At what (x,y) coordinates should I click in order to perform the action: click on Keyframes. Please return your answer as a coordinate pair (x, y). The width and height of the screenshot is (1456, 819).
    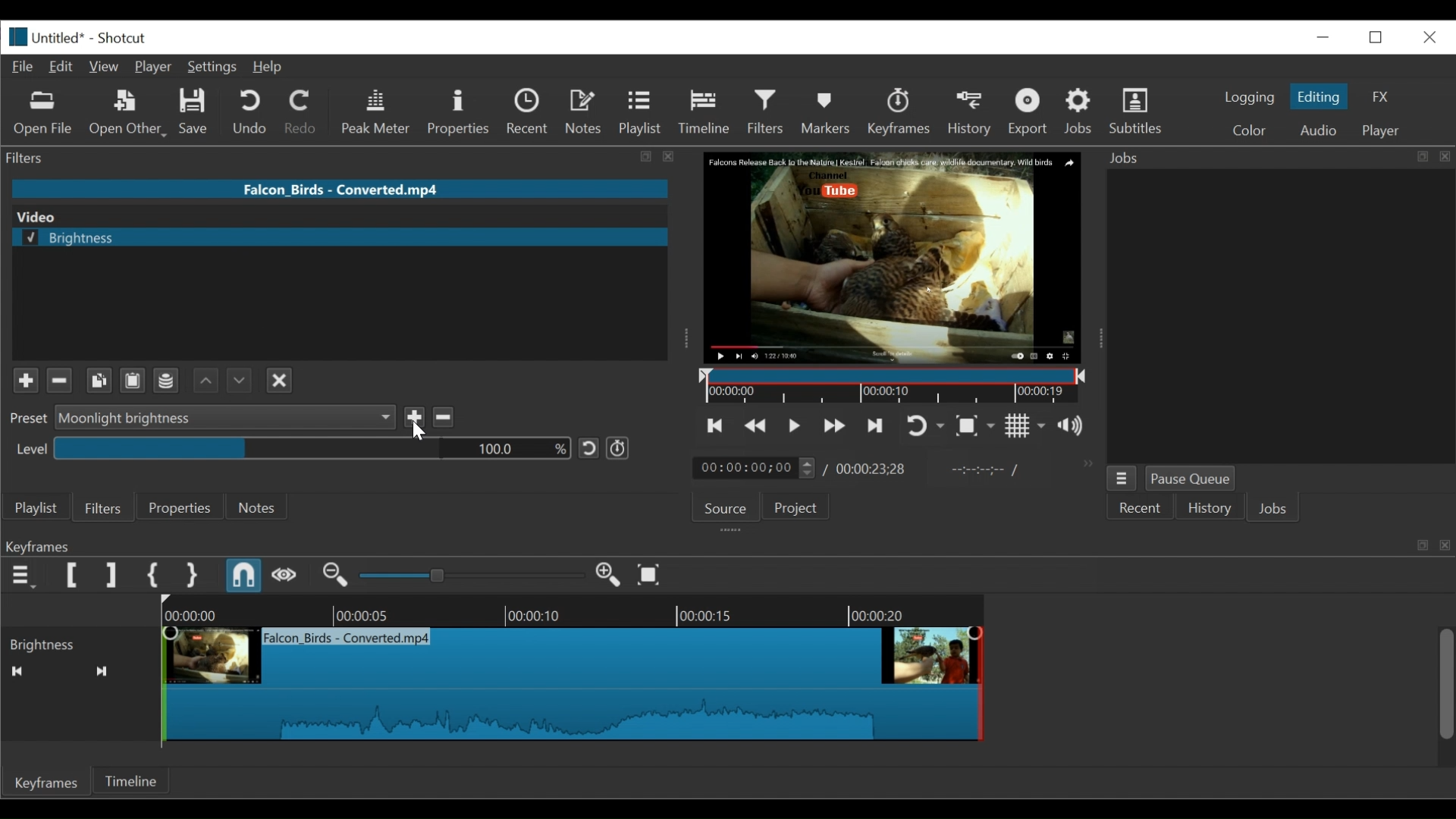
    Looking at the image, I should click on (47, 783).